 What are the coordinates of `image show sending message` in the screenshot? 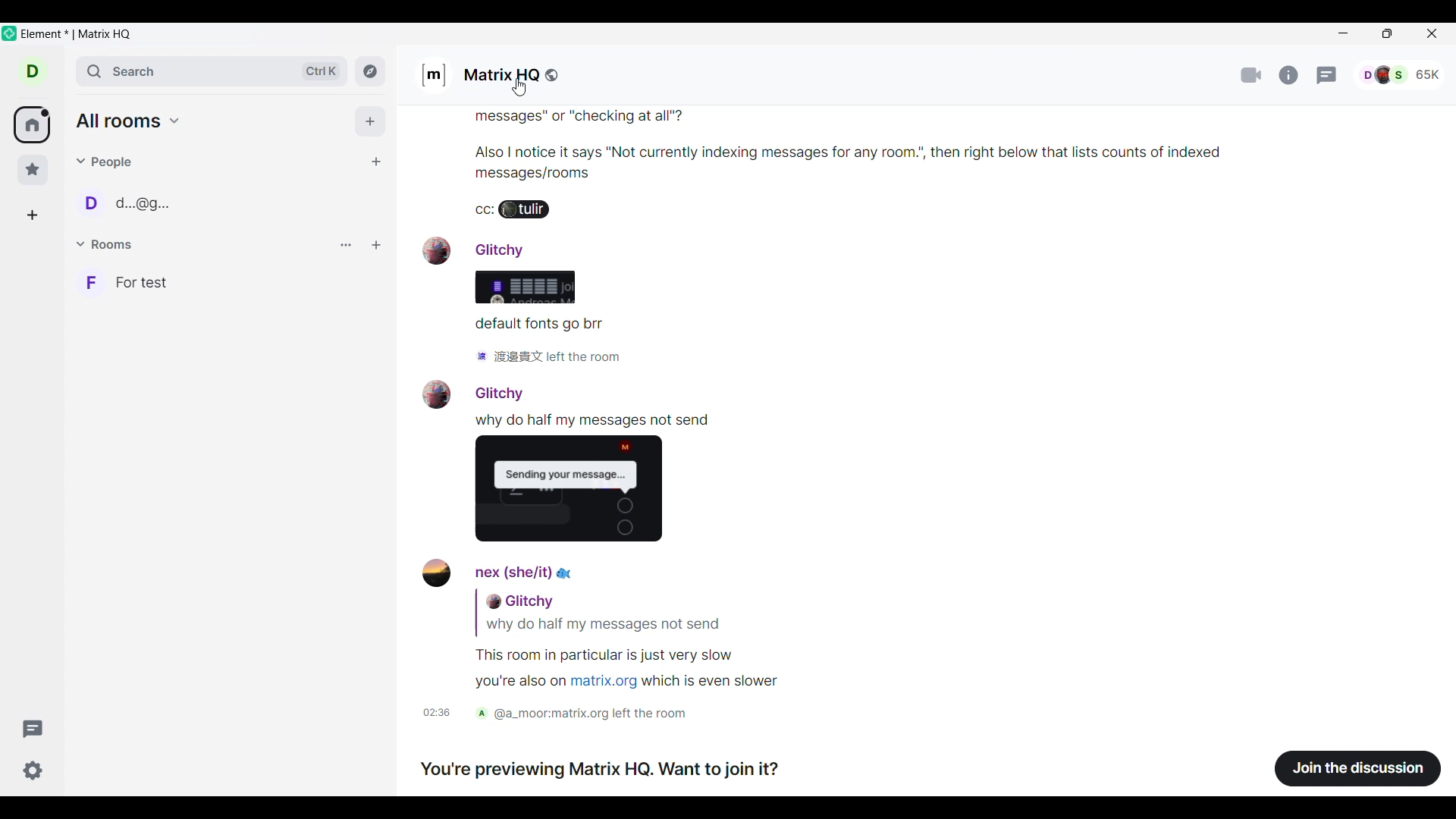 It's located at (576, 494).